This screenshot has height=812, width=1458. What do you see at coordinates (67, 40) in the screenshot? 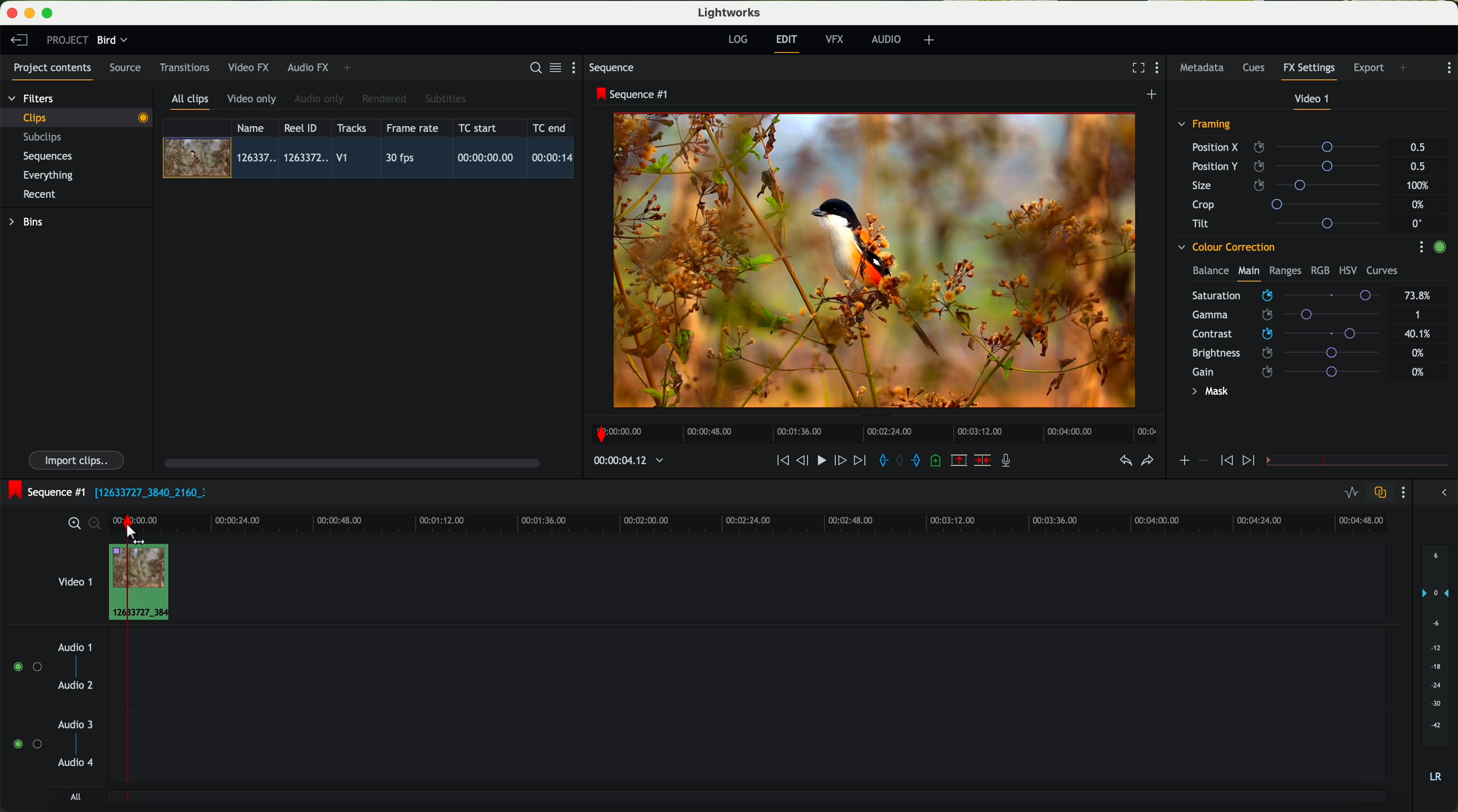
I see `project` at bounding box center [67, 40].